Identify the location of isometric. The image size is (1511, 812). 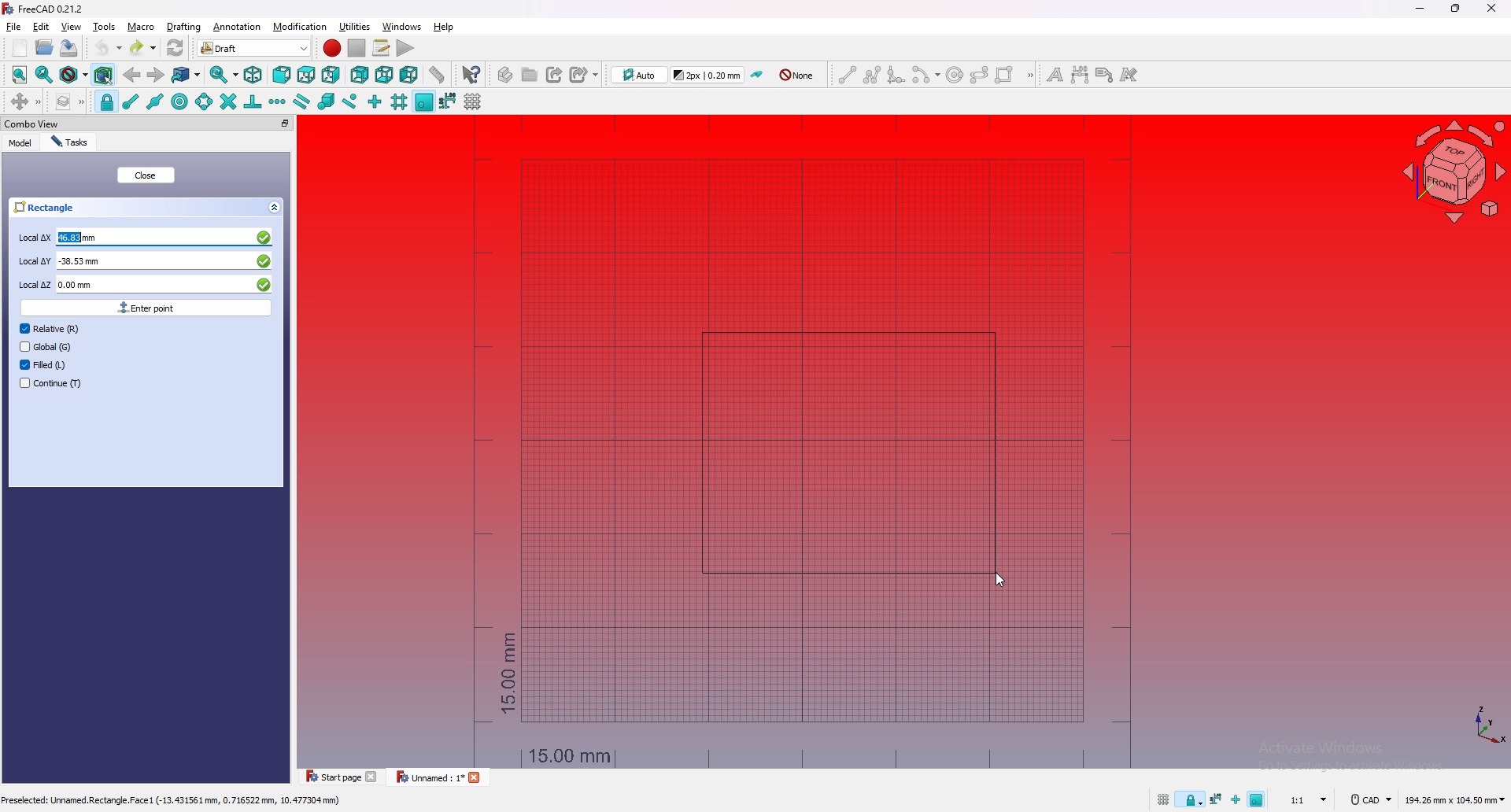
(253, 75).